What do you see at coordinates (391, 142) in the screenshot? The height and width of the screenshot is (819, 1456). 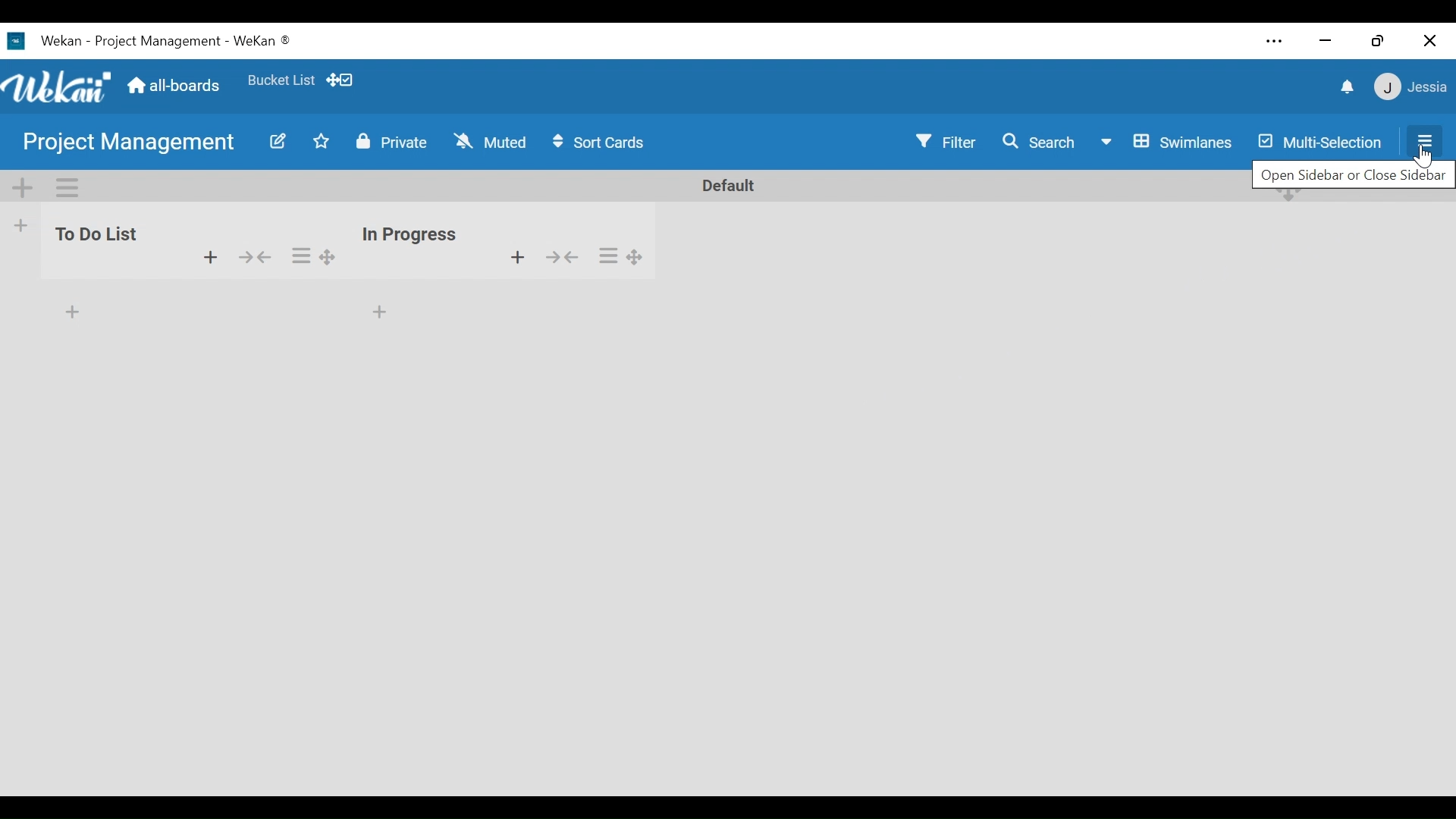 I see `Change Visibility` at bounding box center [391, 142].